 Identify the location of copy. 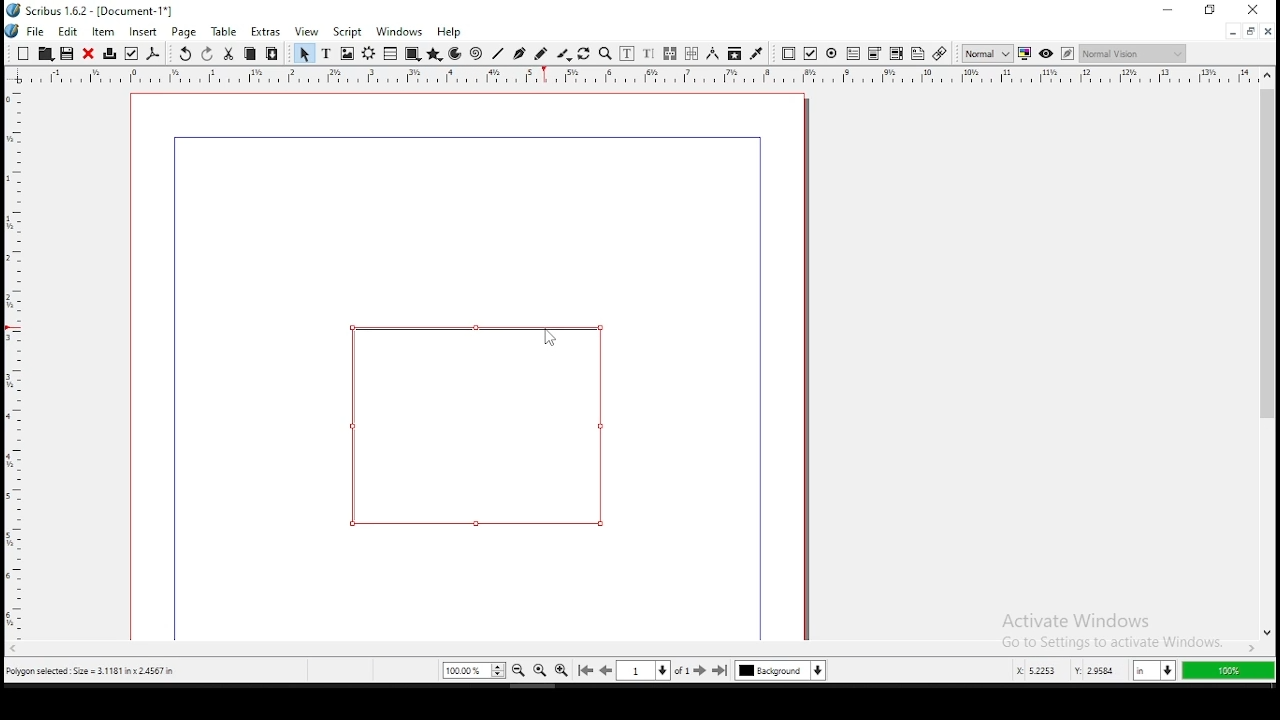
(250, 54).